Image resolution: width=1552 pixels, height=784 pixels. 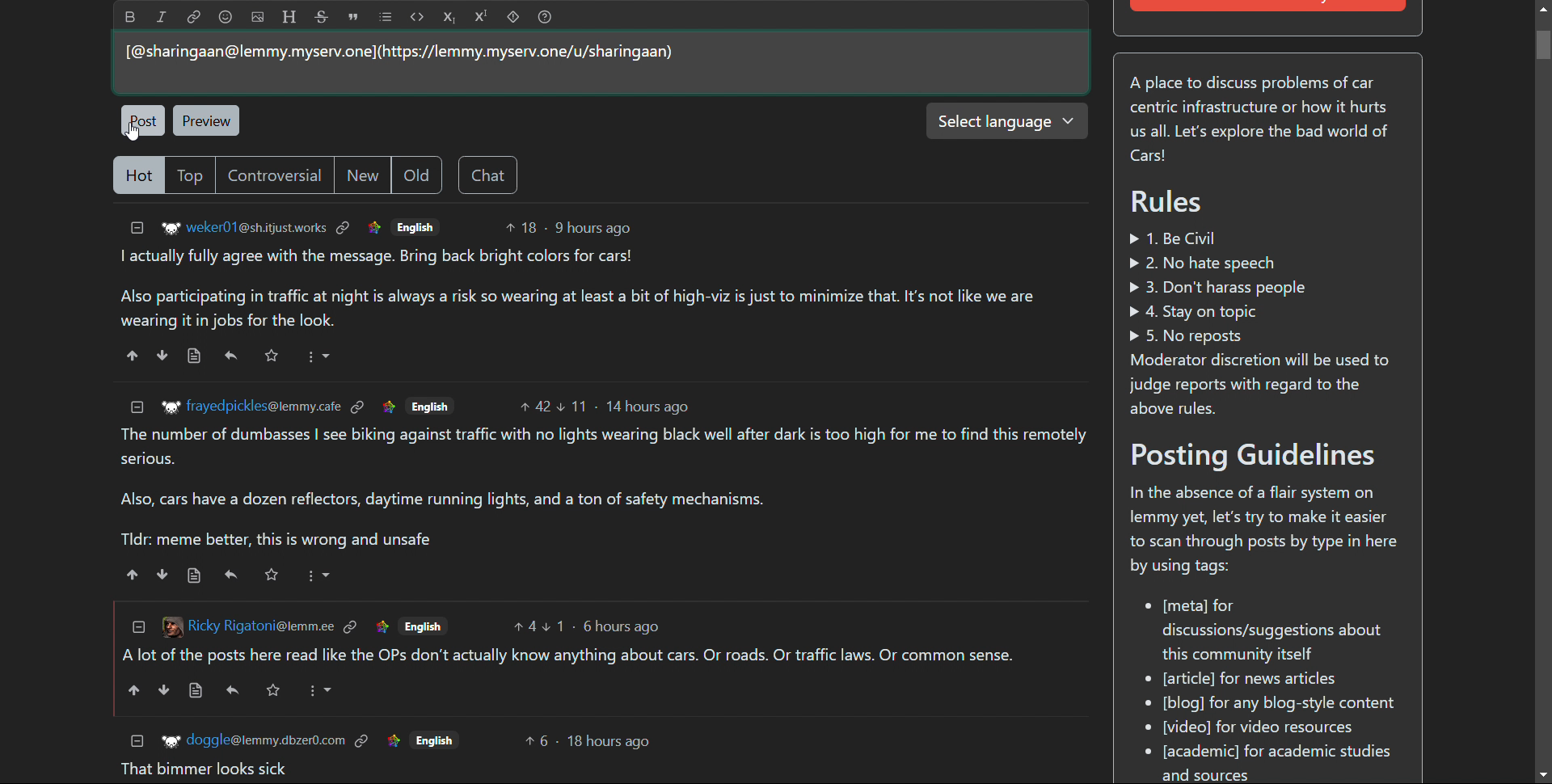 What do you see at coordinates (415, 226) in the screenshot?
I see `English` at bounding box center [415, 226].